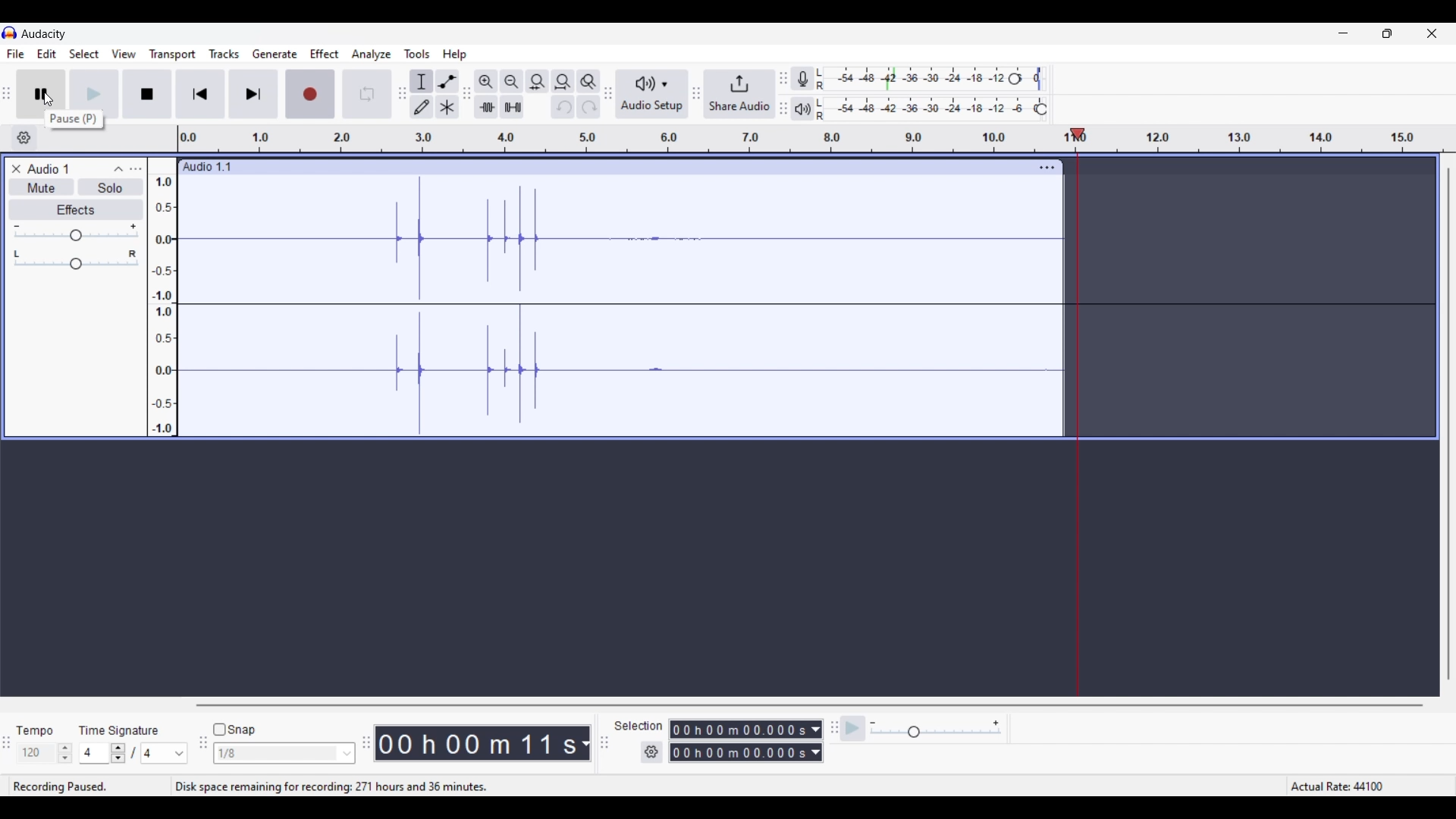  Describe the element at coordinates (1388, 33) in the screenshot. I see `Show interface in a smaller tab` at that location.